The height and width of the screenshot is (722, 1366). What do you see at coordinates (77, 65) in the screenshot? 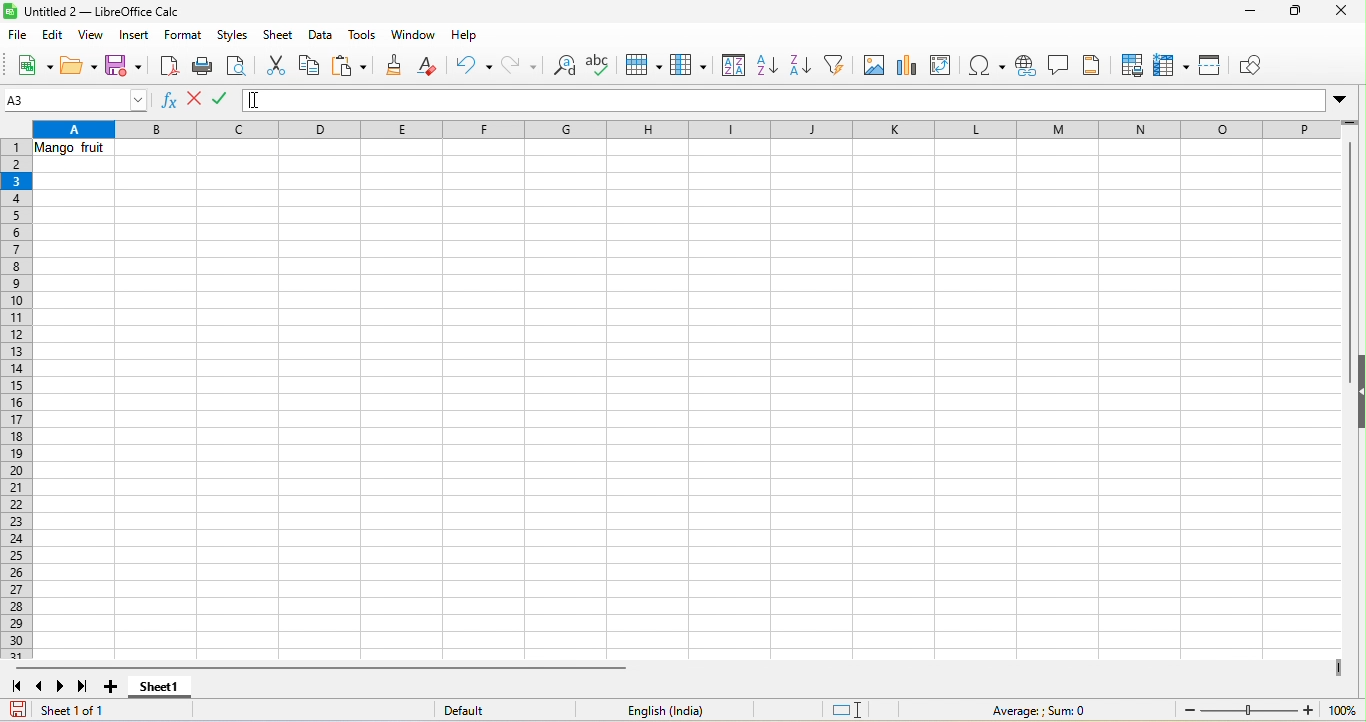
I see `open` at bounding box center [77, 65].